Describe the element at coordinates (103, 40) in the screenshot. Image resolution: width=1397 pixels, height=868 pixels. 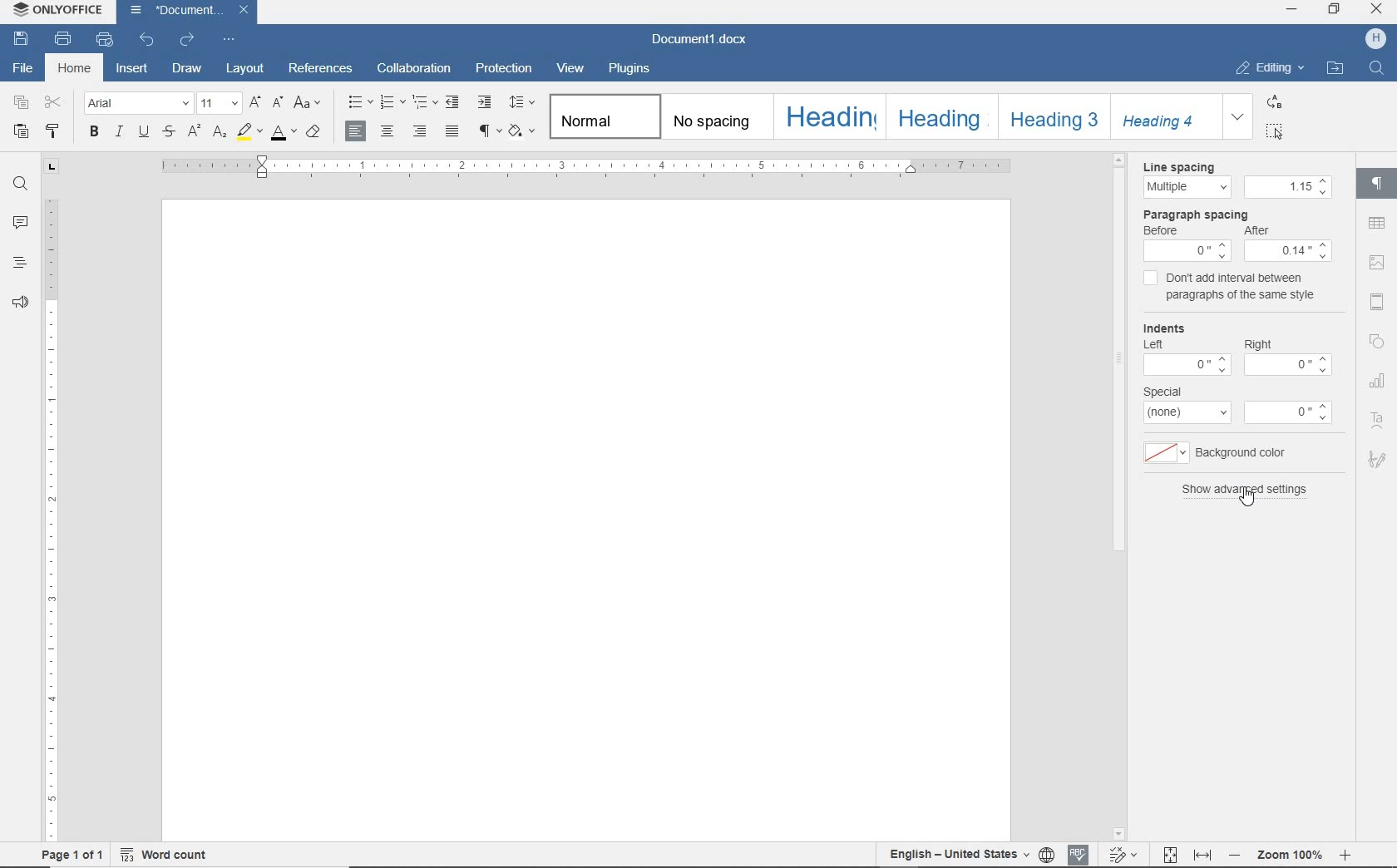
I see `print` at that location.